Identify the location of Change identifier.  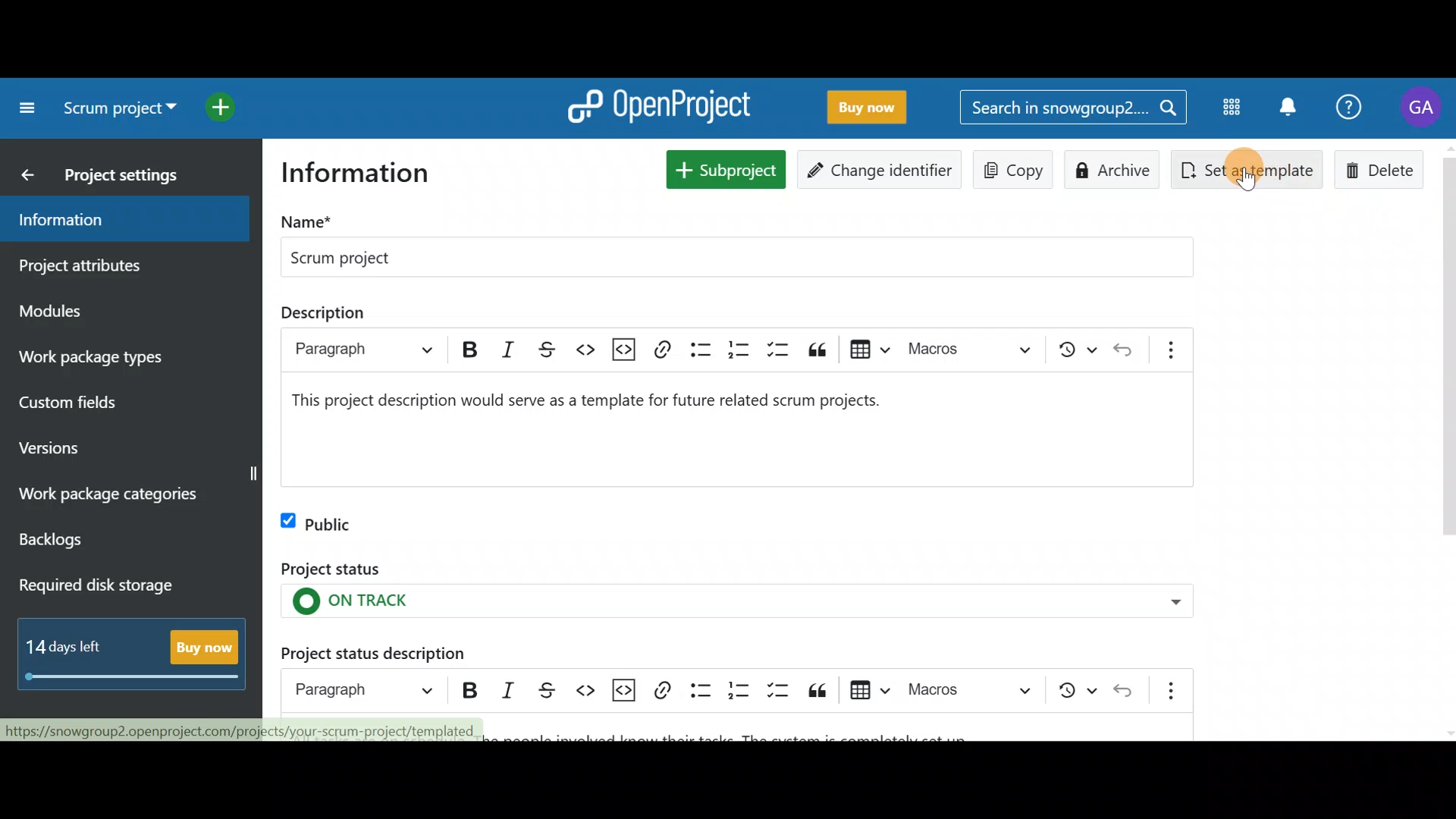
(882, 168).